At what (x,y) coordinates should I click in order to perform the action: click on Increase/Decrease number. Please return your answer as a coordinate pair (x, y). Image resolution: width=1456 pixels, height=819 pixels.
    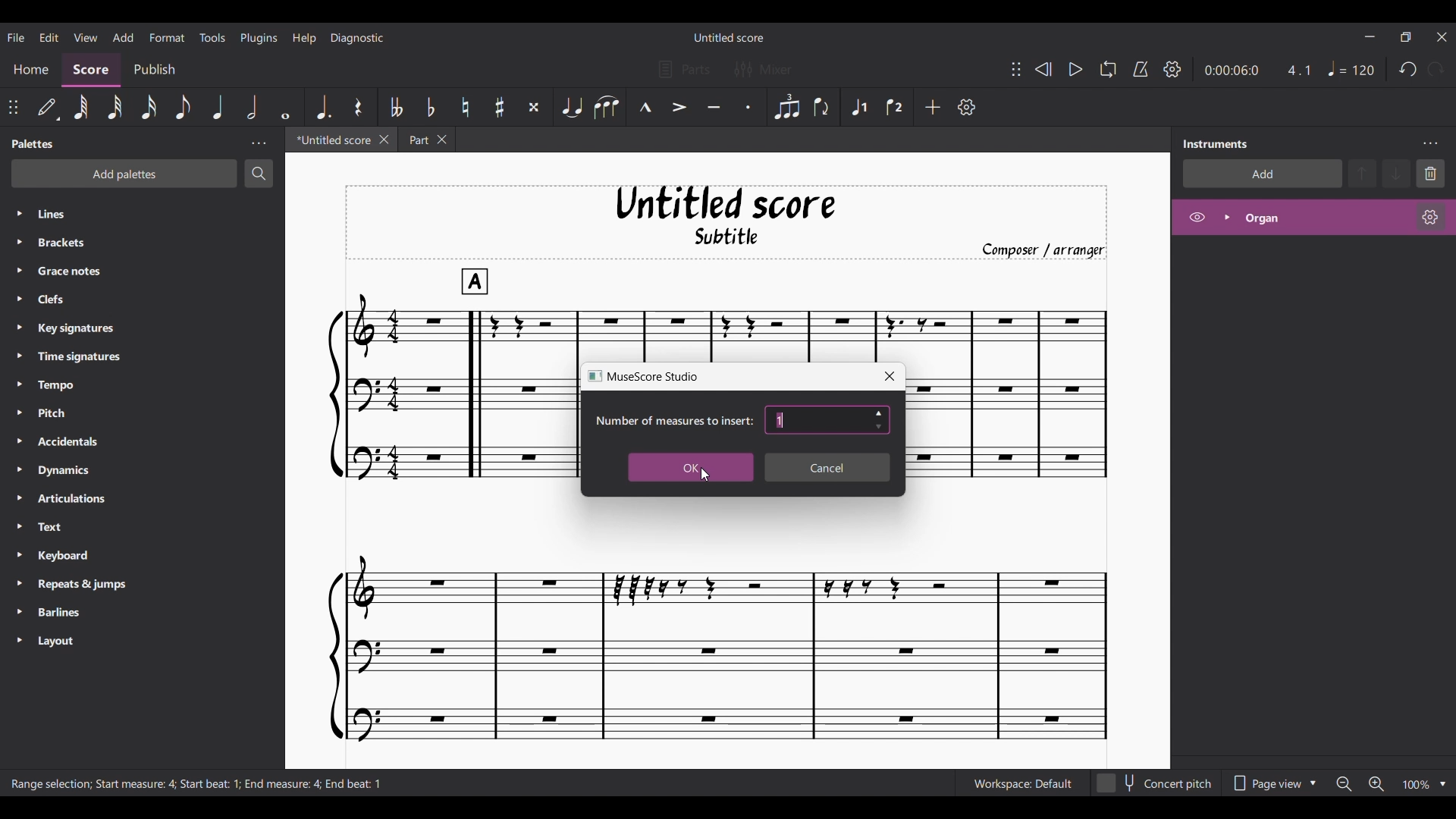
    Looking at the image, I should click on (879, 420).